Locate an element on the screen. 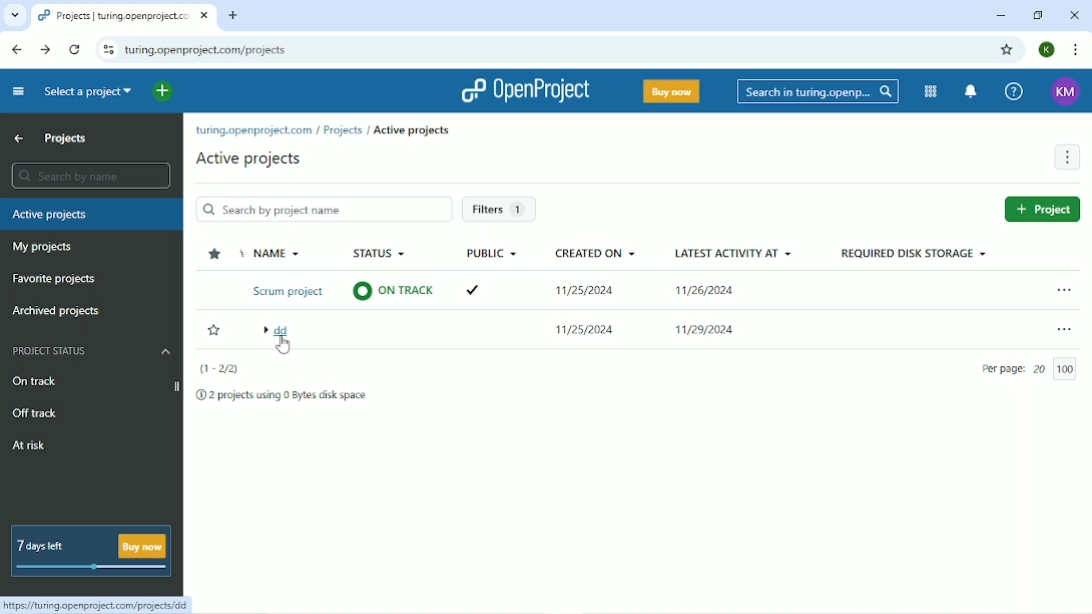  Active projects is located at coordinates (410, 131).